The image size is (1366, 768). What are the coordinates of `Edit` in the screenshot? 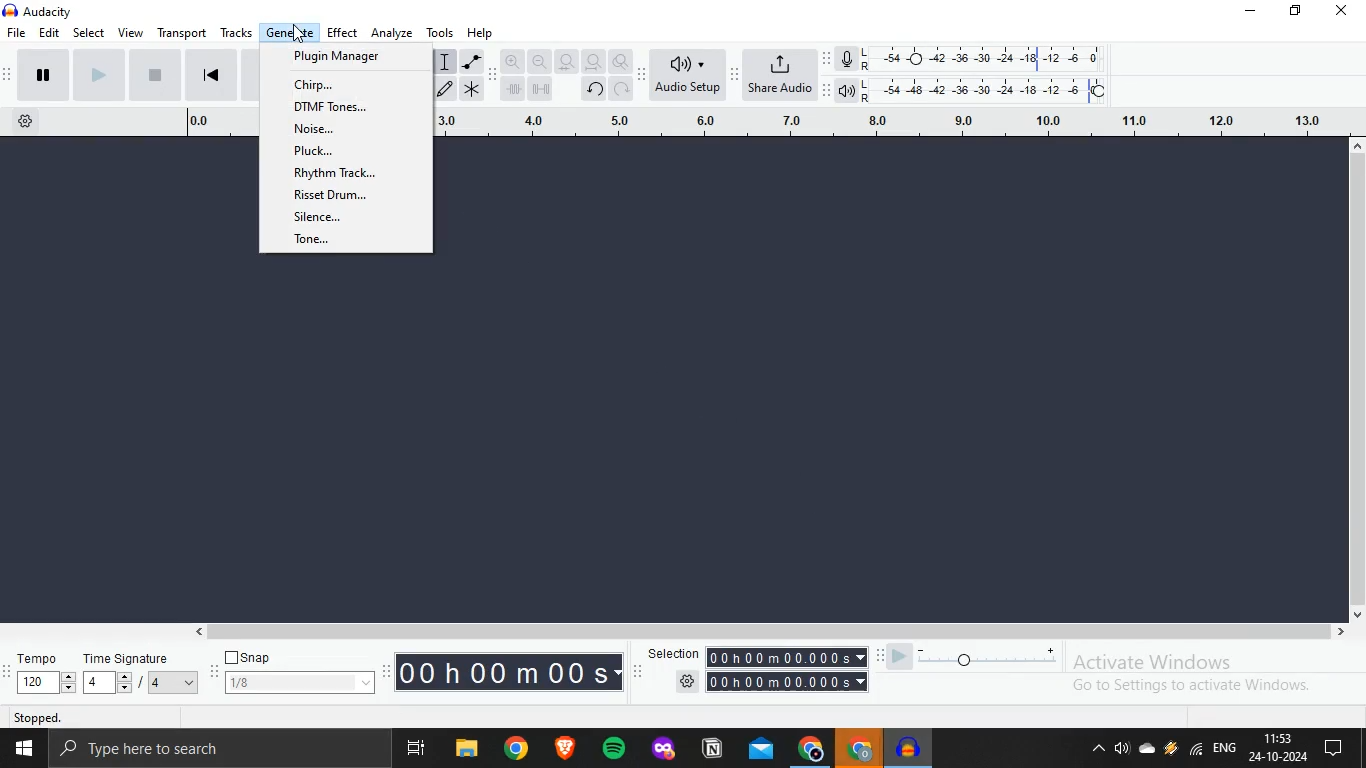 It's located at (52, 33).